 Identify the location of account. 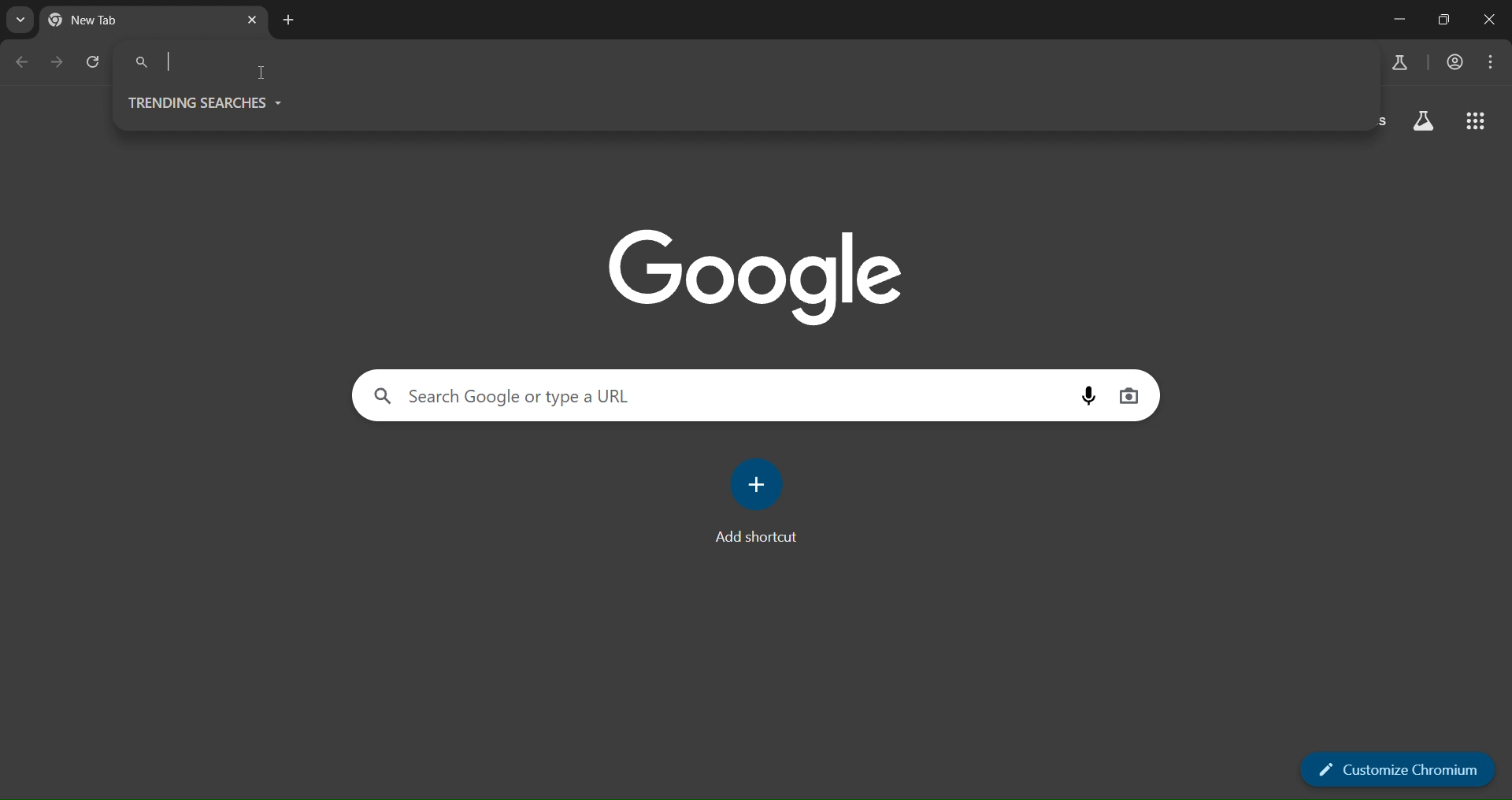
(1452, 64).